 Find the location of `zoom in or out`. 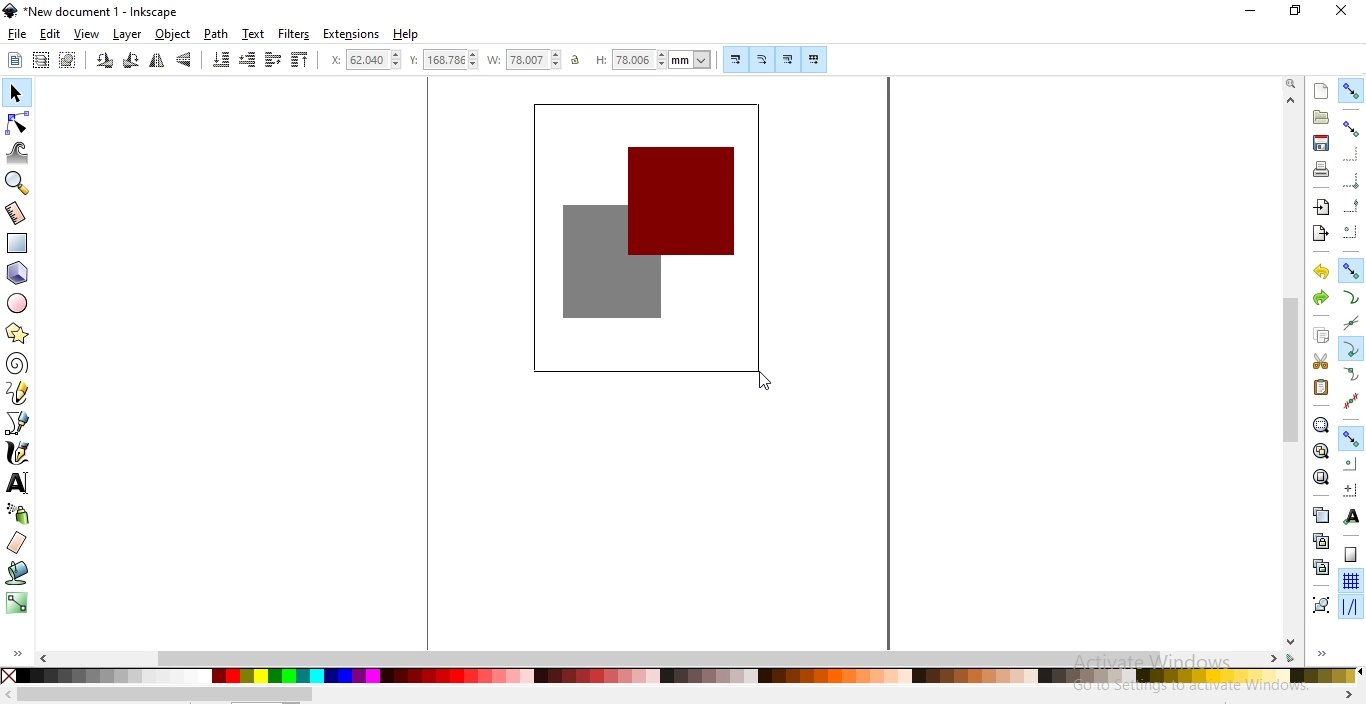

zoom in or out is located at coordinates (15, 183).